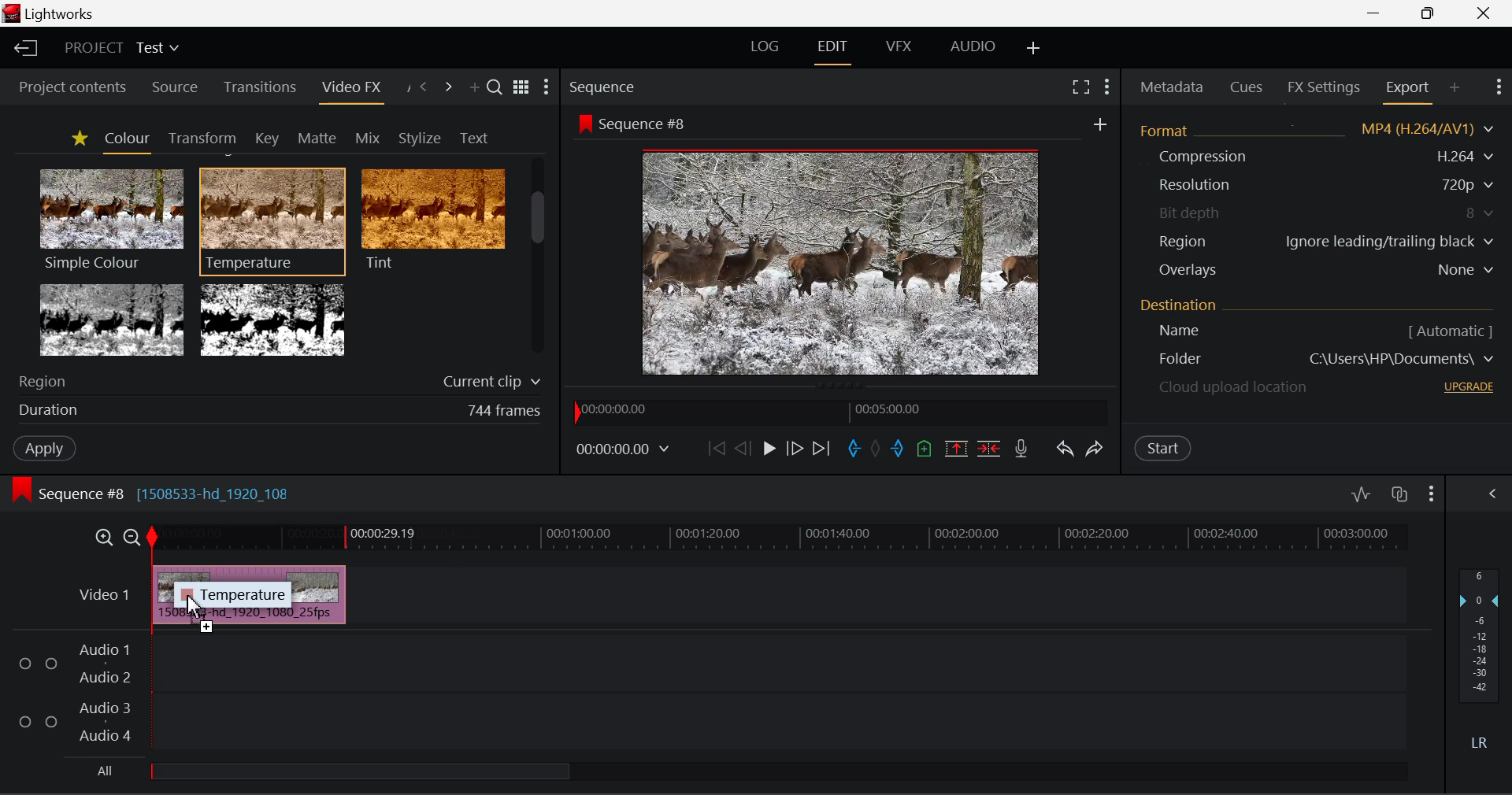 Image resolution: width=1512 pixels, height=795 pixels. Describe the element at coordinates (605, 89) in the screenshot. I see `Sequence Preview Section` at that location.